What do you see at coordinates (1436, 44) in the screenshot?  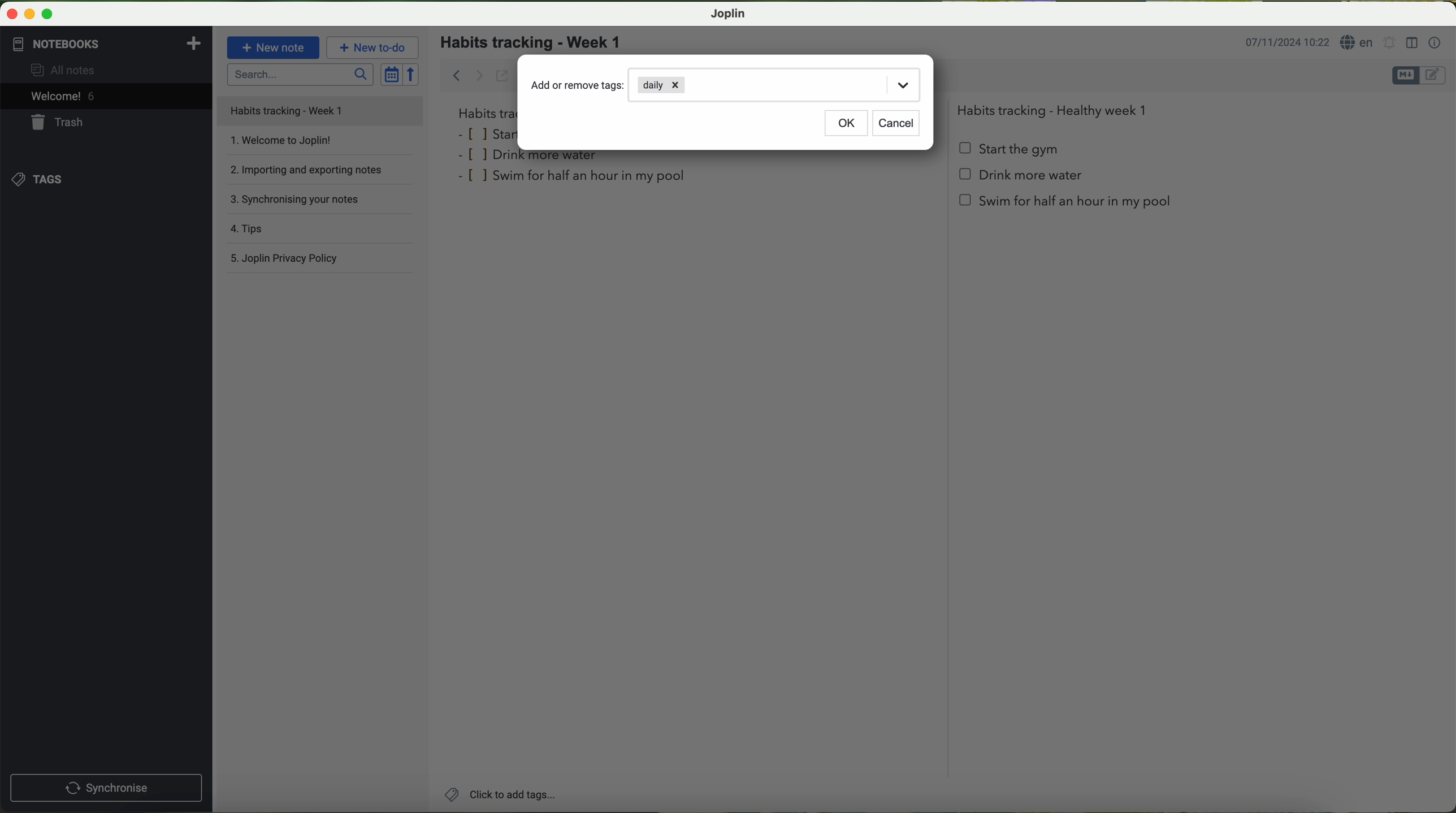 I see `note properties` at bounding box center [1436, 44].